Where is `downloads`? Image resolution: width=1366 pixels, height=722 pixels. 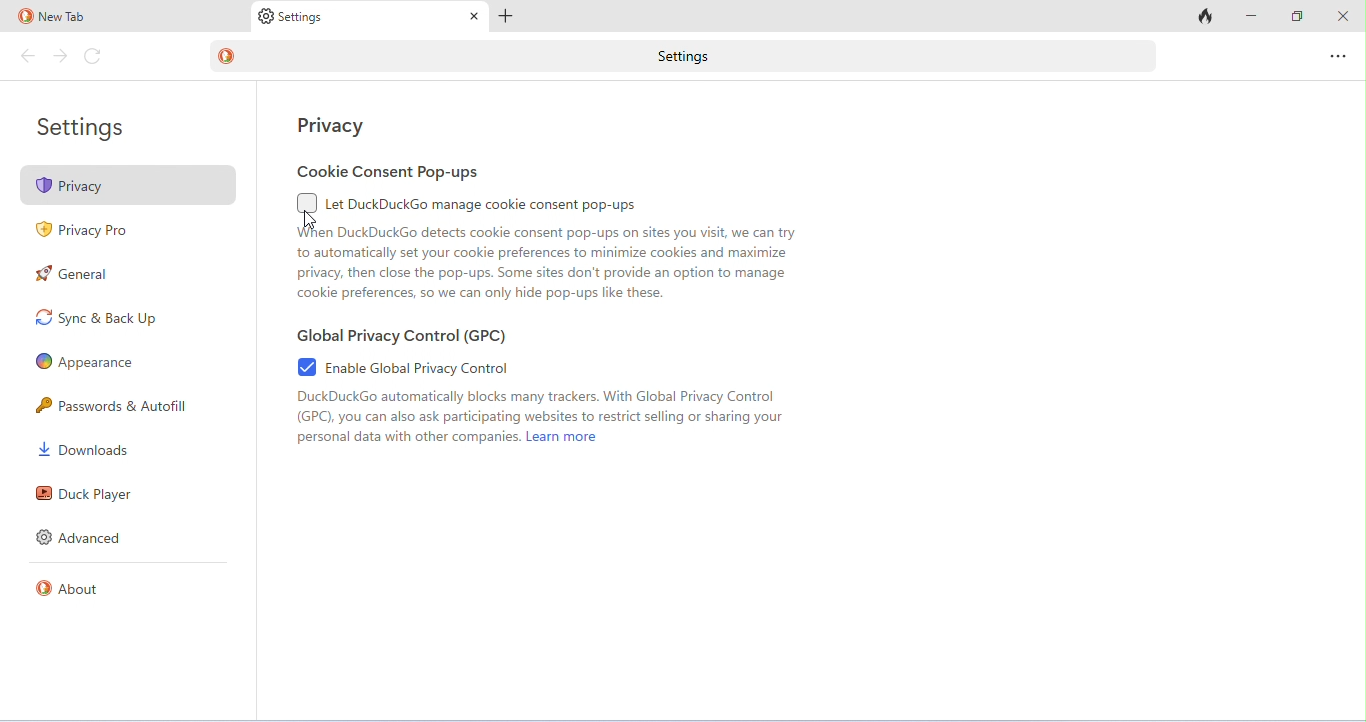 downloads is located at coordinates (84, 449).